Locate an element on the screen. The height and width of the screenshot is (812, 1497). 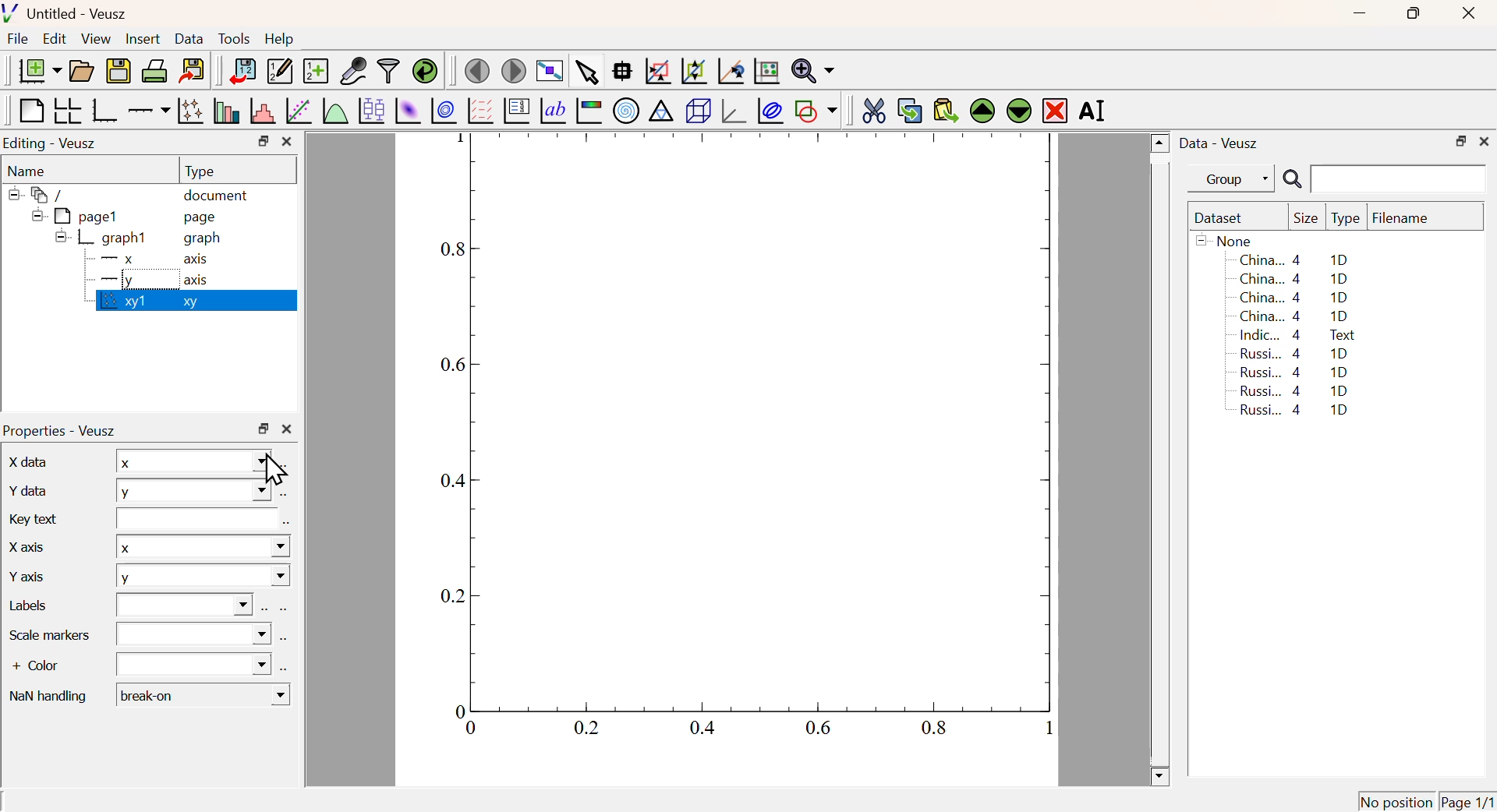
Search is located at coordinates (1292, 180).